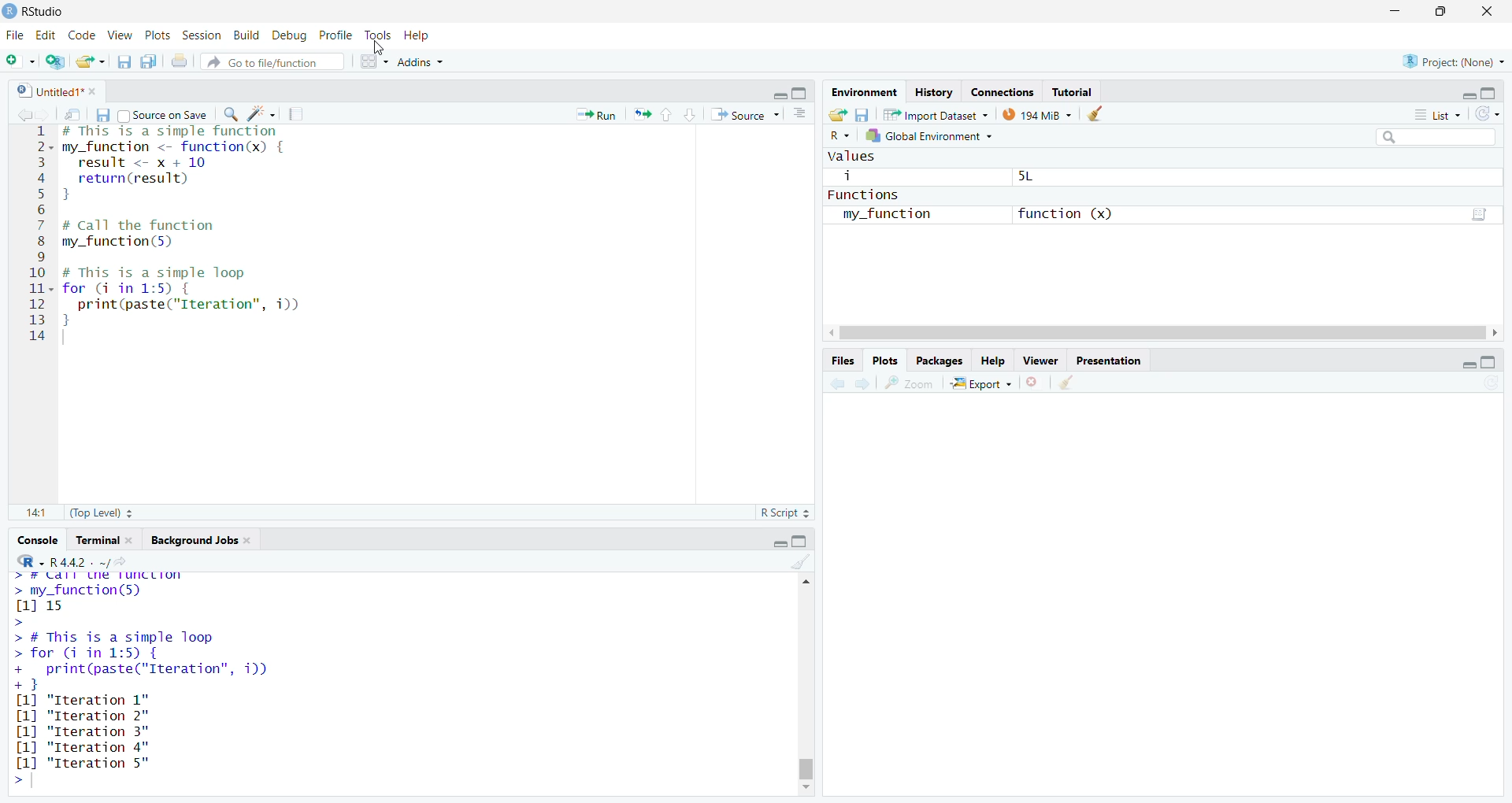 The image size is (1512, 803). I want to click on code of a simple loop, so click(187, 296).